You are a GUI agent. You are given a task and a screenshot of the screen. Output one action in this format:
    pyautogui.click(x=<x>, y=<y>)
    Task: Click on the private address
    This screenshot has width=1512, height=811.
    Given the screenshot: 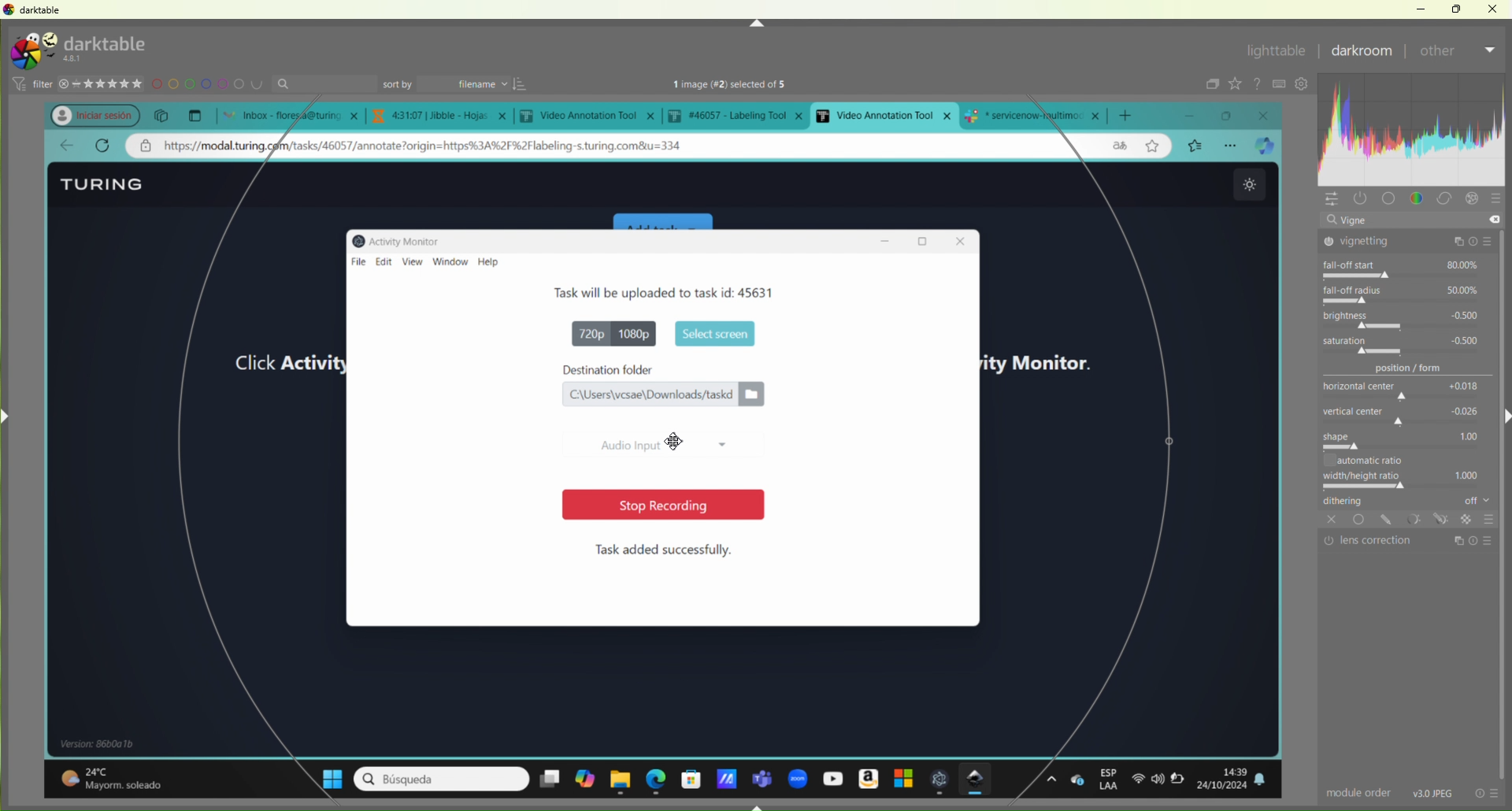 What is the action you would take?
    pyautogui.click(x=149, y=147)
    